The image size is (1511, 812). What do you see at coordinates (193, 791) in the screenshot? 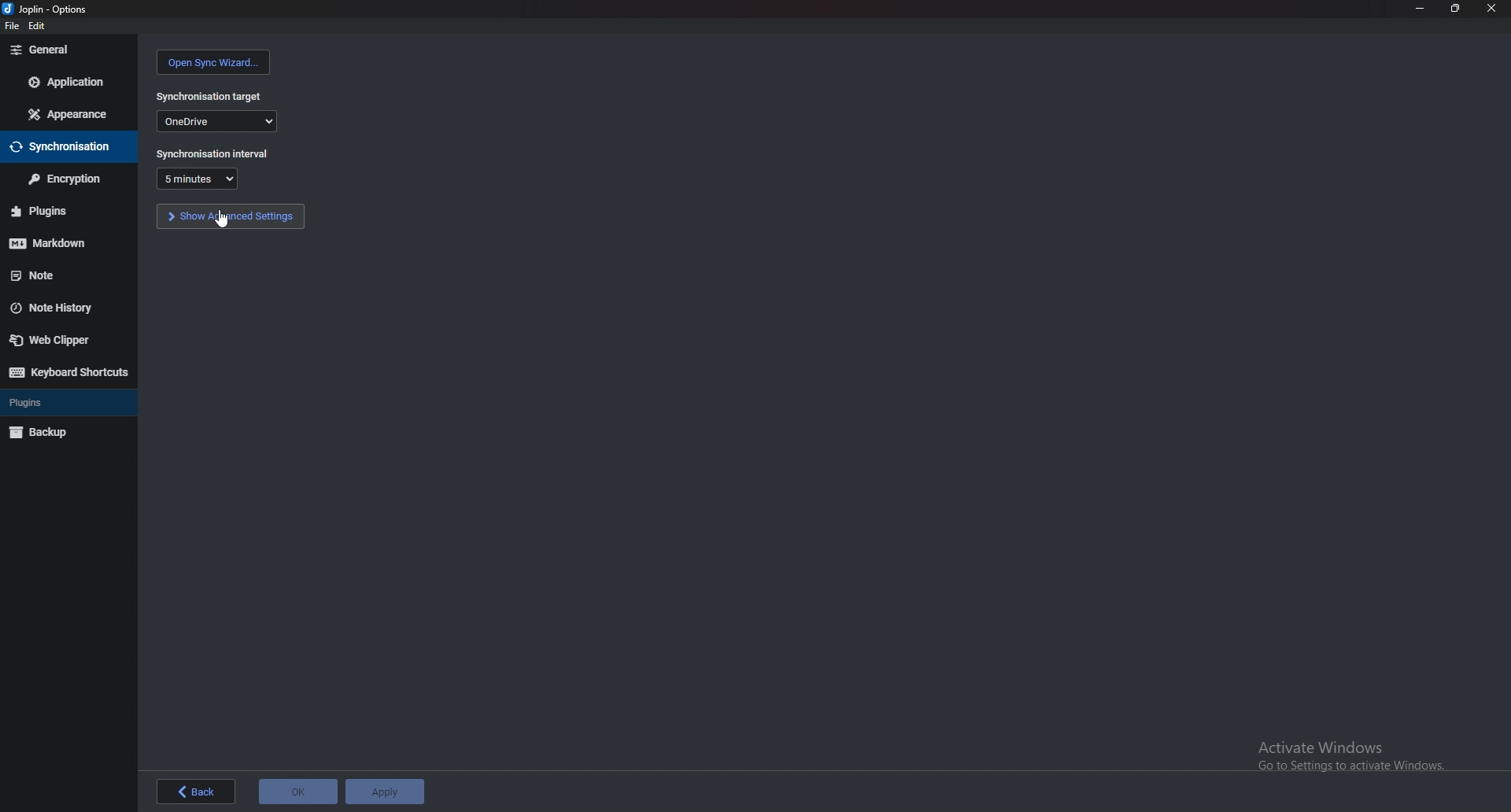
I see `back` at bounding box center [193, 791].